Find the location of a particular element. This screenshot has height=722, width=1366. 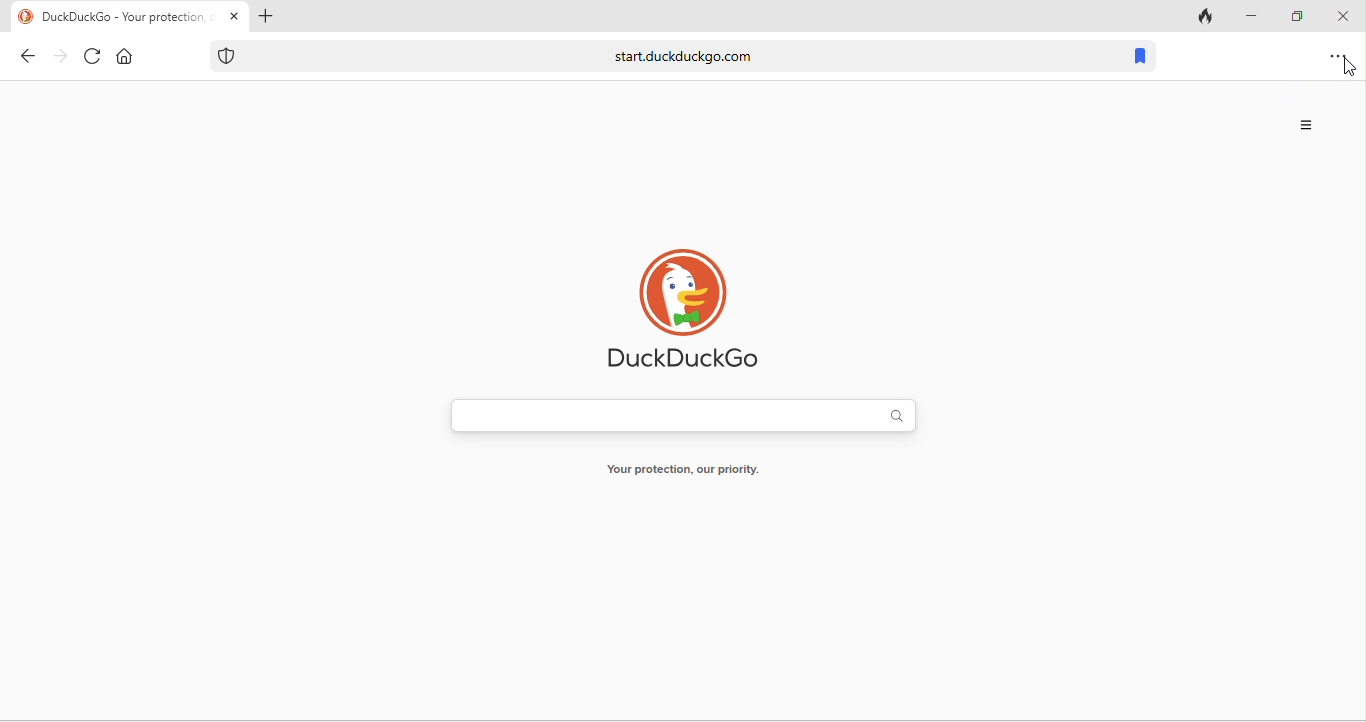

DuckDuckGo - Your protection our priority is located at coordinates (123, 17).